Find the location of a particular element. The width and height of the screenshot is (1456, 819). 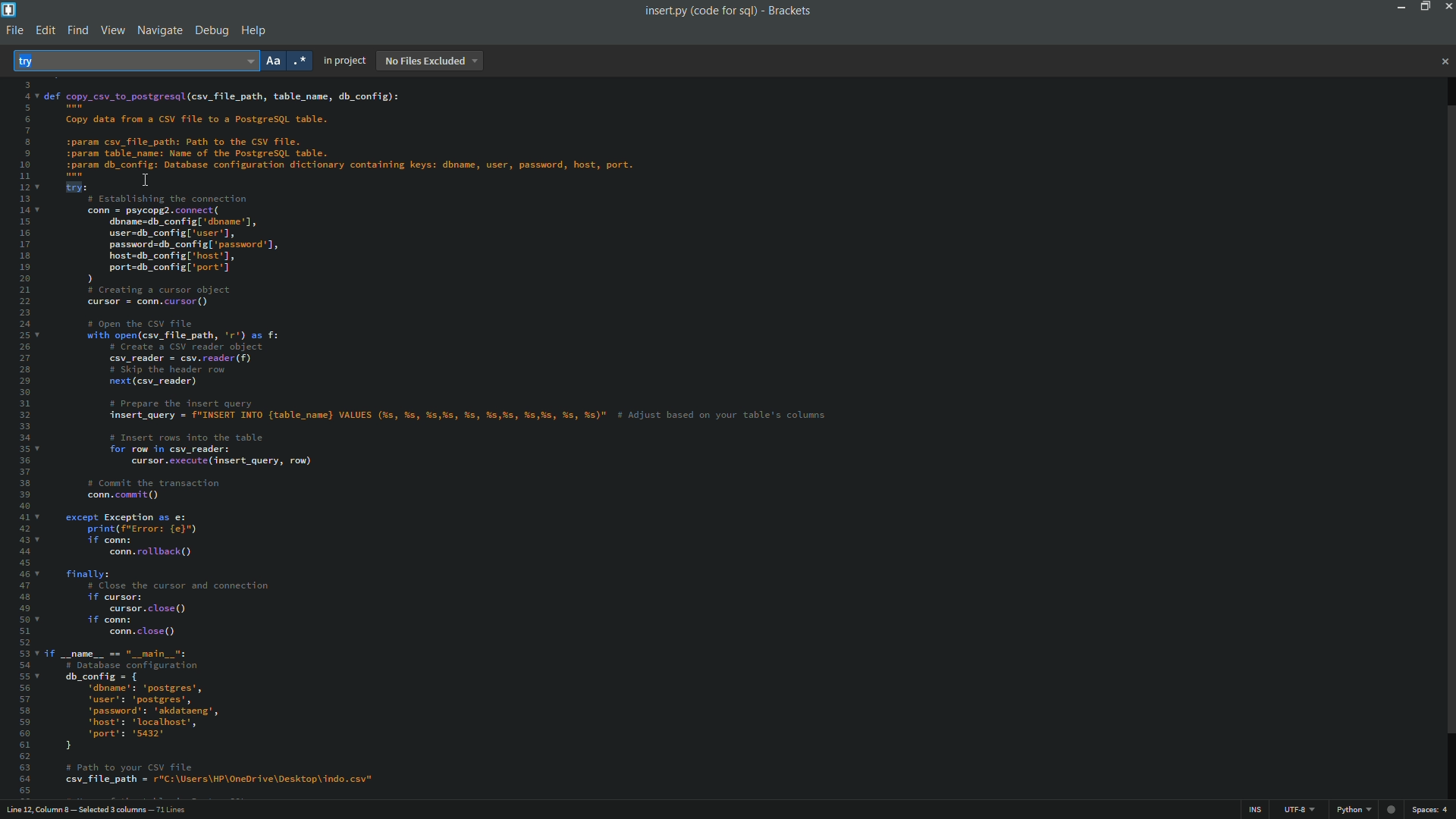

in project is located at coordinates (344, 61).